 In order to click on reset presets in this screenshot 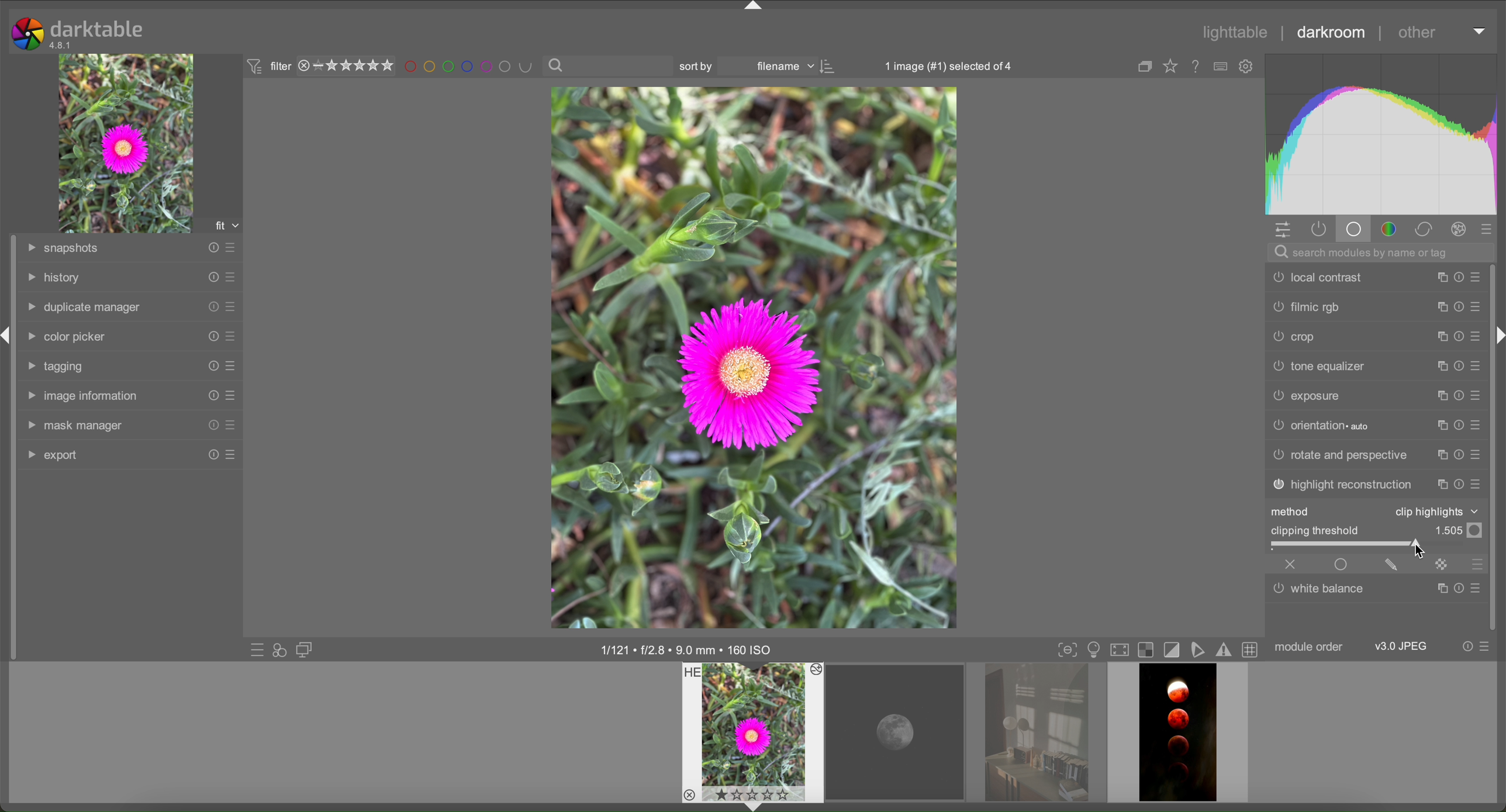, I will do `click(1458, 484)`.